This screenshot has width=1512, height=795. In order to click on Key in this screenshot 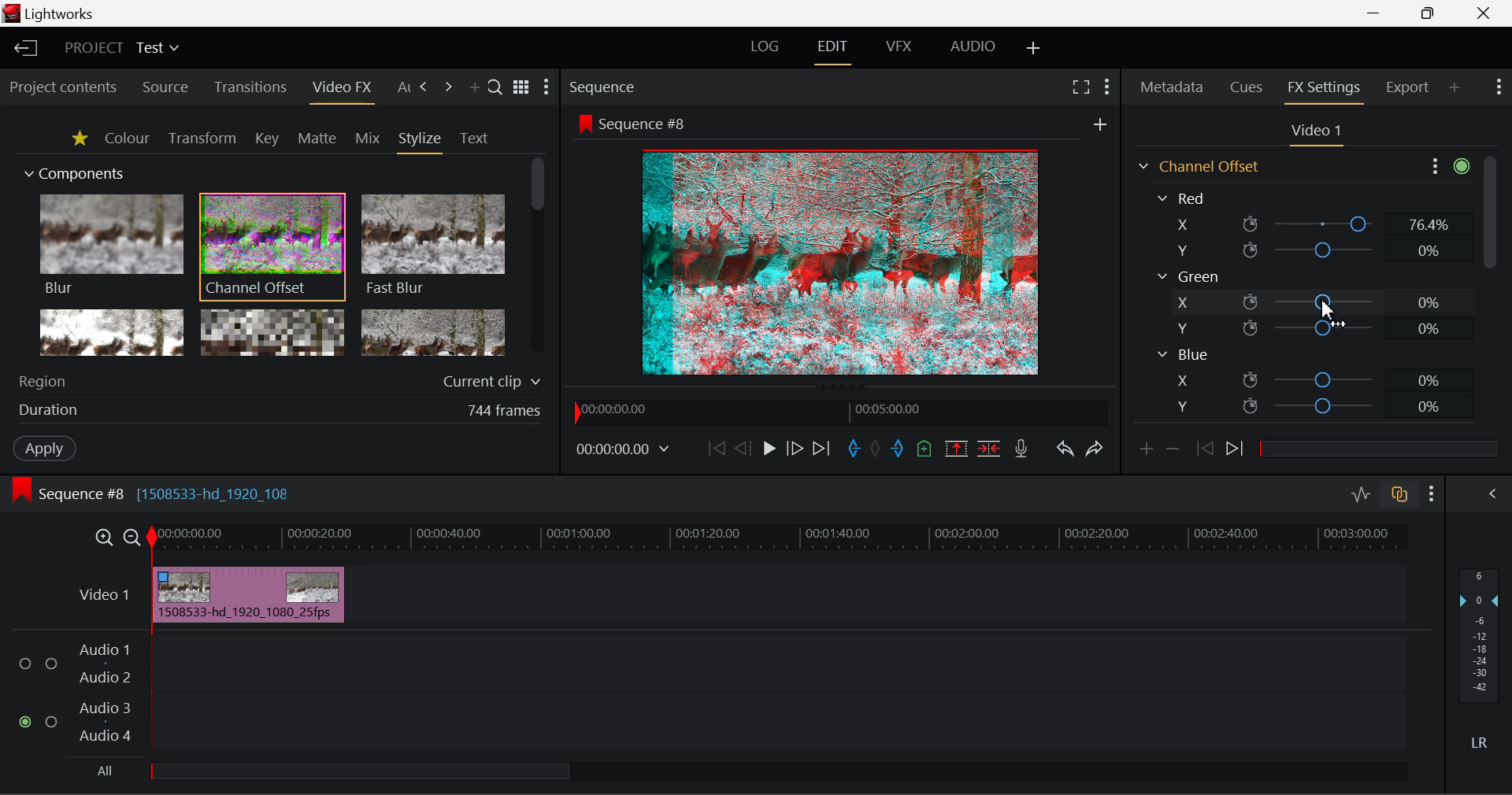, I will do `click(265, 139)`.